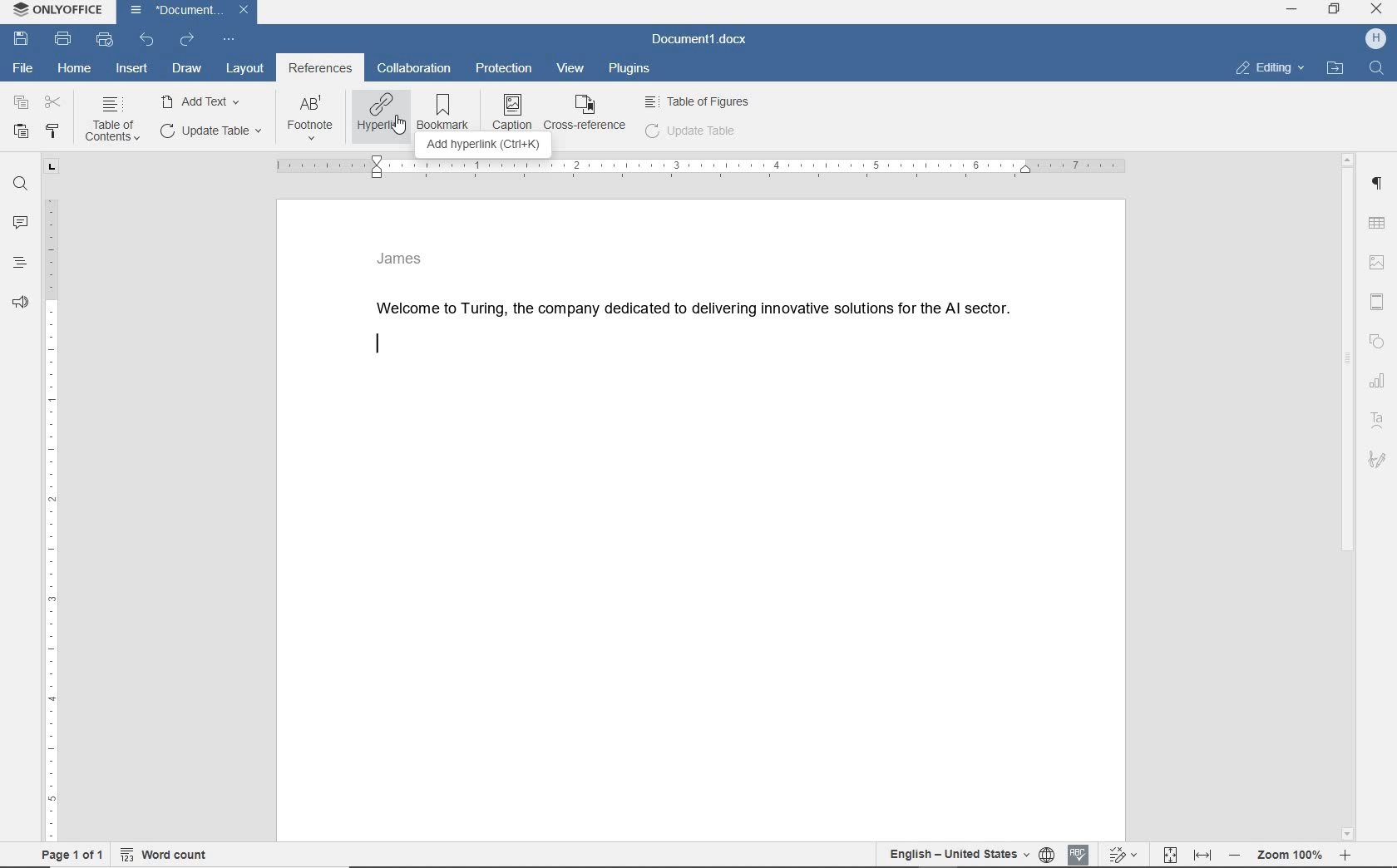  I want to click on Page 1 of 1, so click(67, 856).